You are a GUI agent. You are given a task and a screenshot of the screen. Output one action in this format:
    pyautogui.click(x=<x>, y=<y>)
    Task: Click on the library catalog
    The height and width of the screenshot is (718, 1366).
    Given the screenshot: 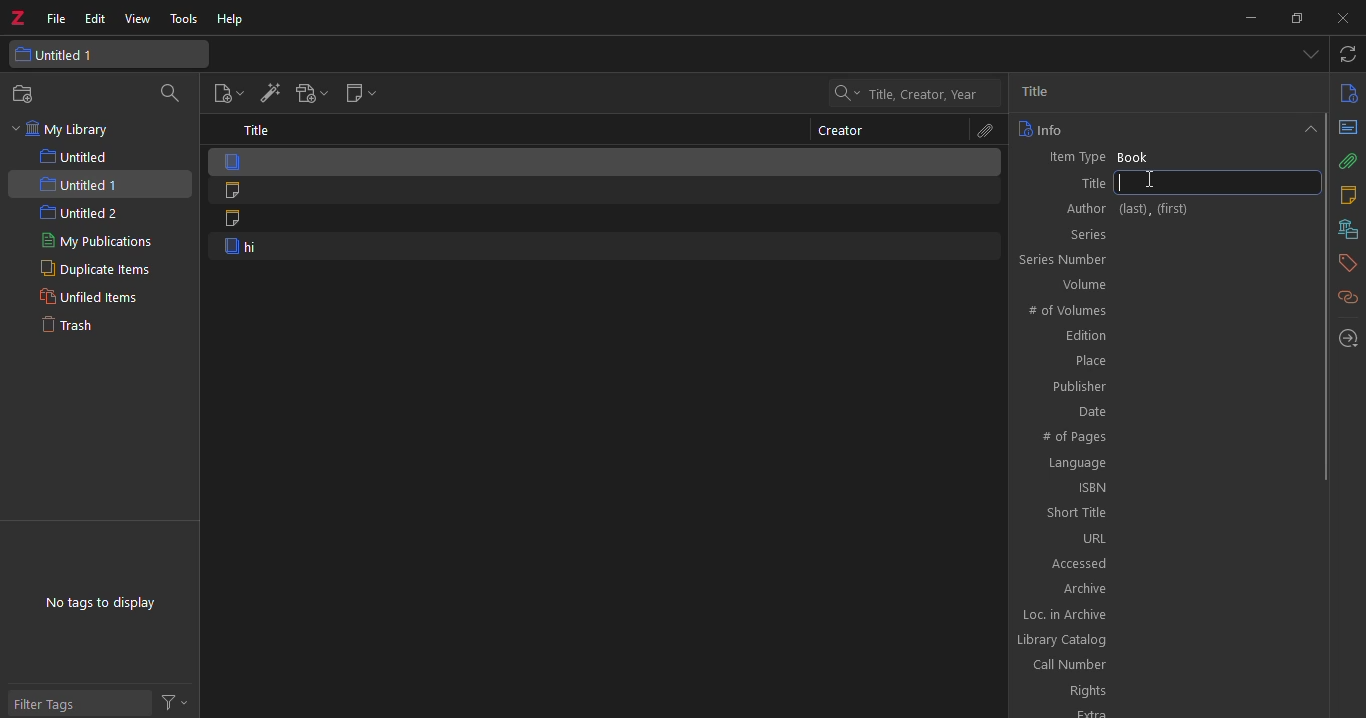 What is the action you would take?
    pyautogui.click(x=1159, y=640)
    